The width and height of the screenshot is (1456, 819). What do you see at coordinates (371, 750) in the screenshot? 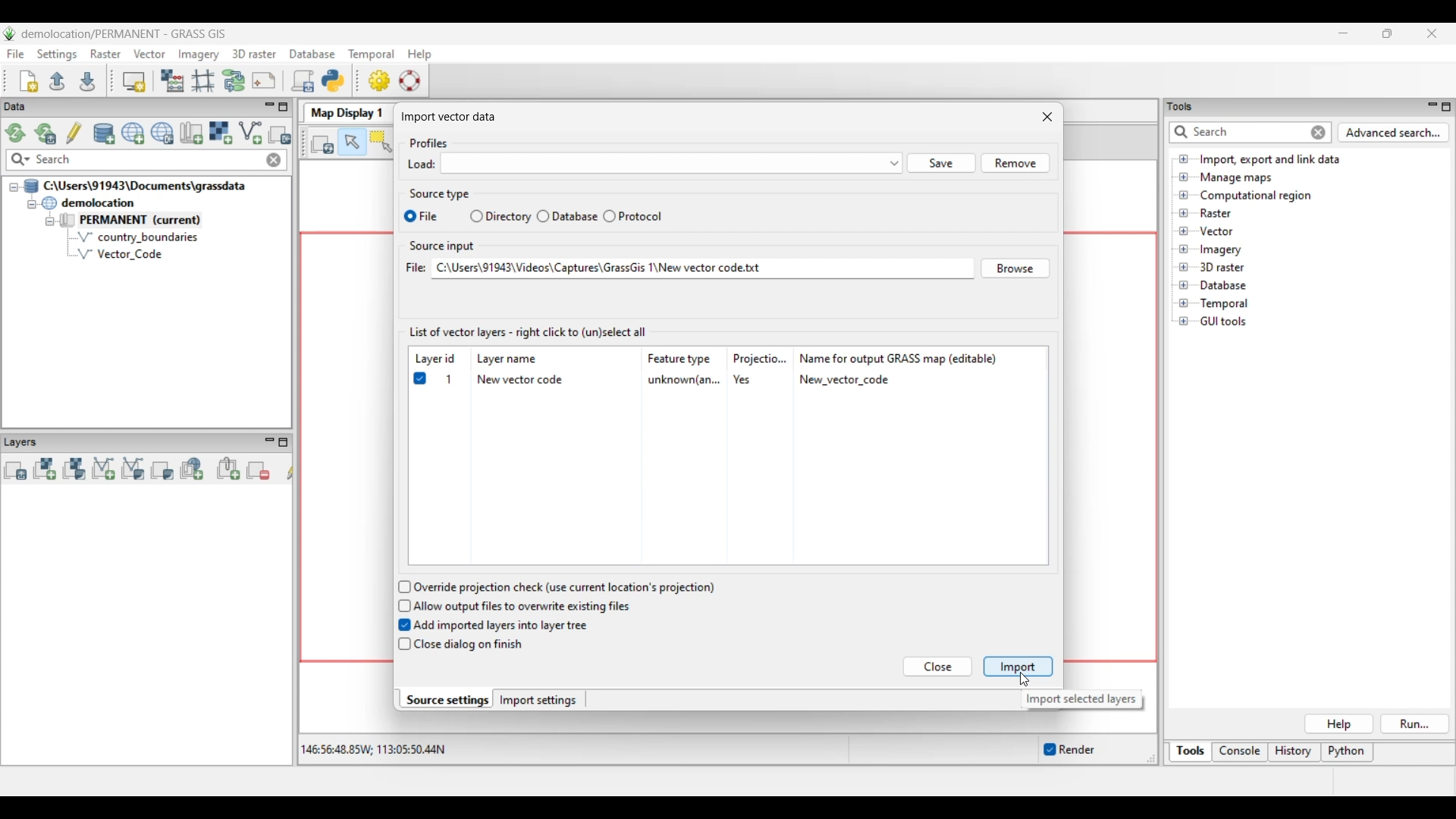
I see `Co-ordinates of the cursor within the display area` at bounding box center [371, 750].